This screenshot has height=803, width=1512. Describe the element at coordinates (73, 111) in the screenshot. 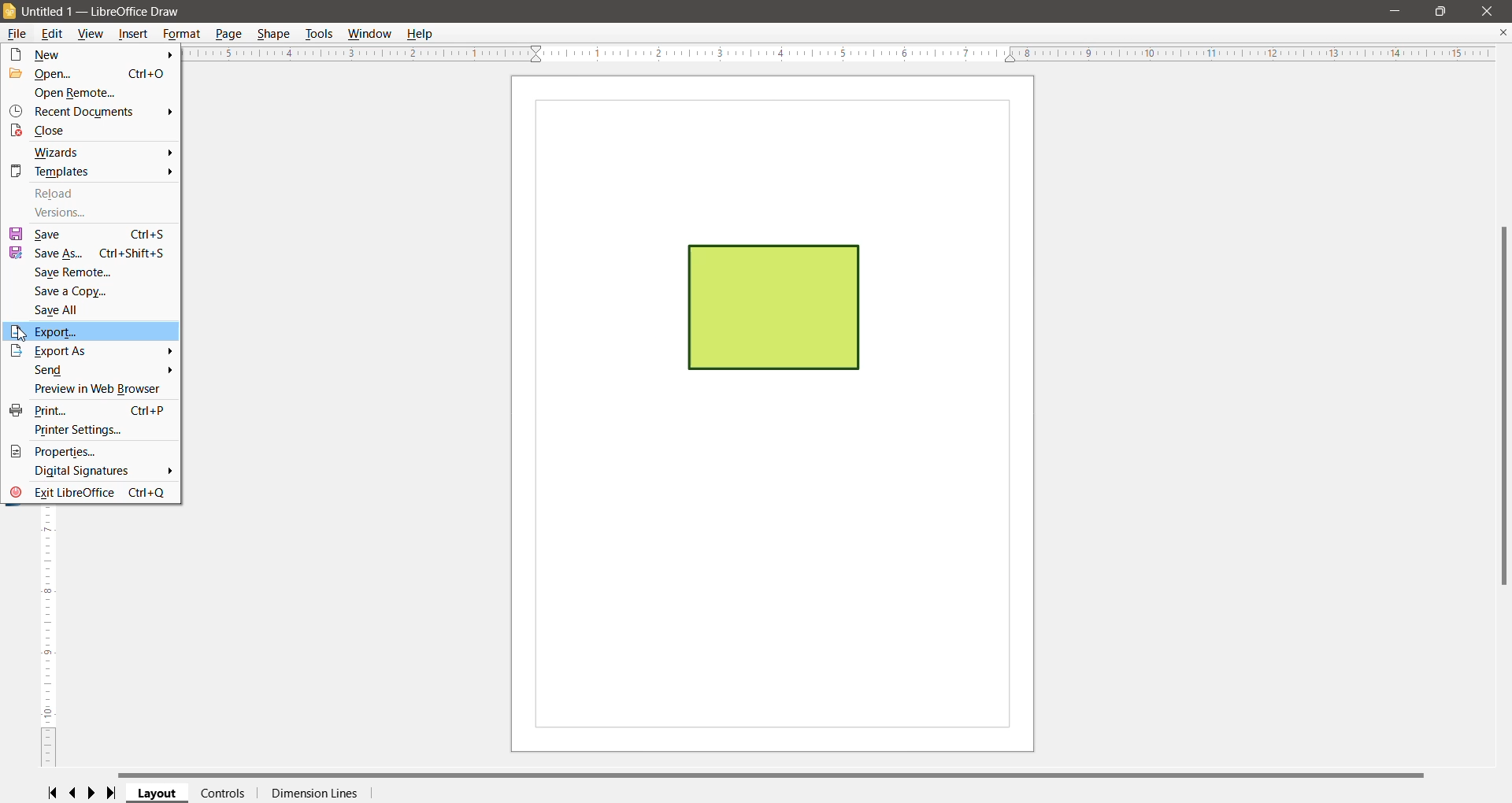

I see `Recent Documents` at that location.